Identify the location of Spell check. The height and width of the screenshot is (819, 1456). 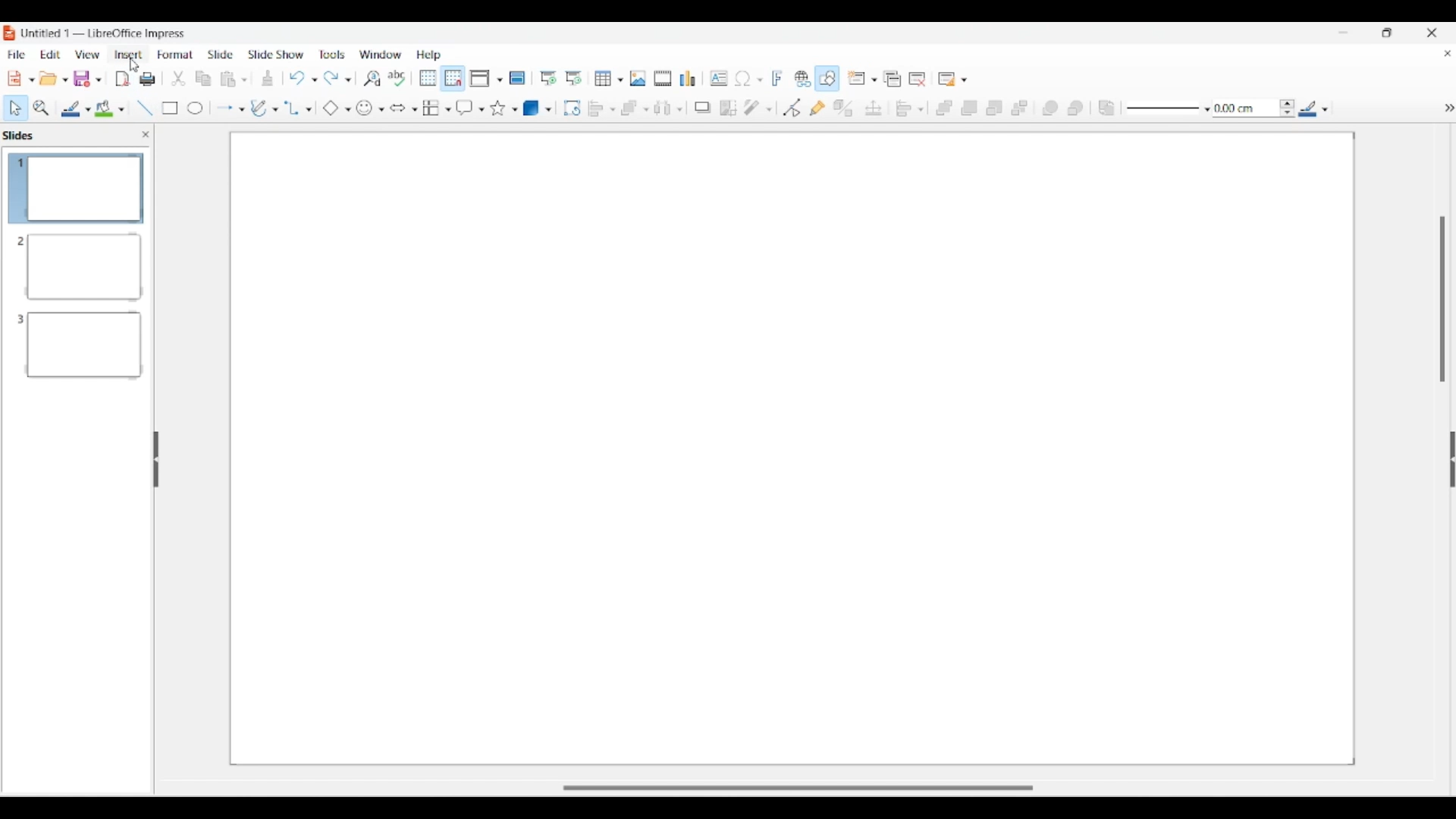
(397, 78).